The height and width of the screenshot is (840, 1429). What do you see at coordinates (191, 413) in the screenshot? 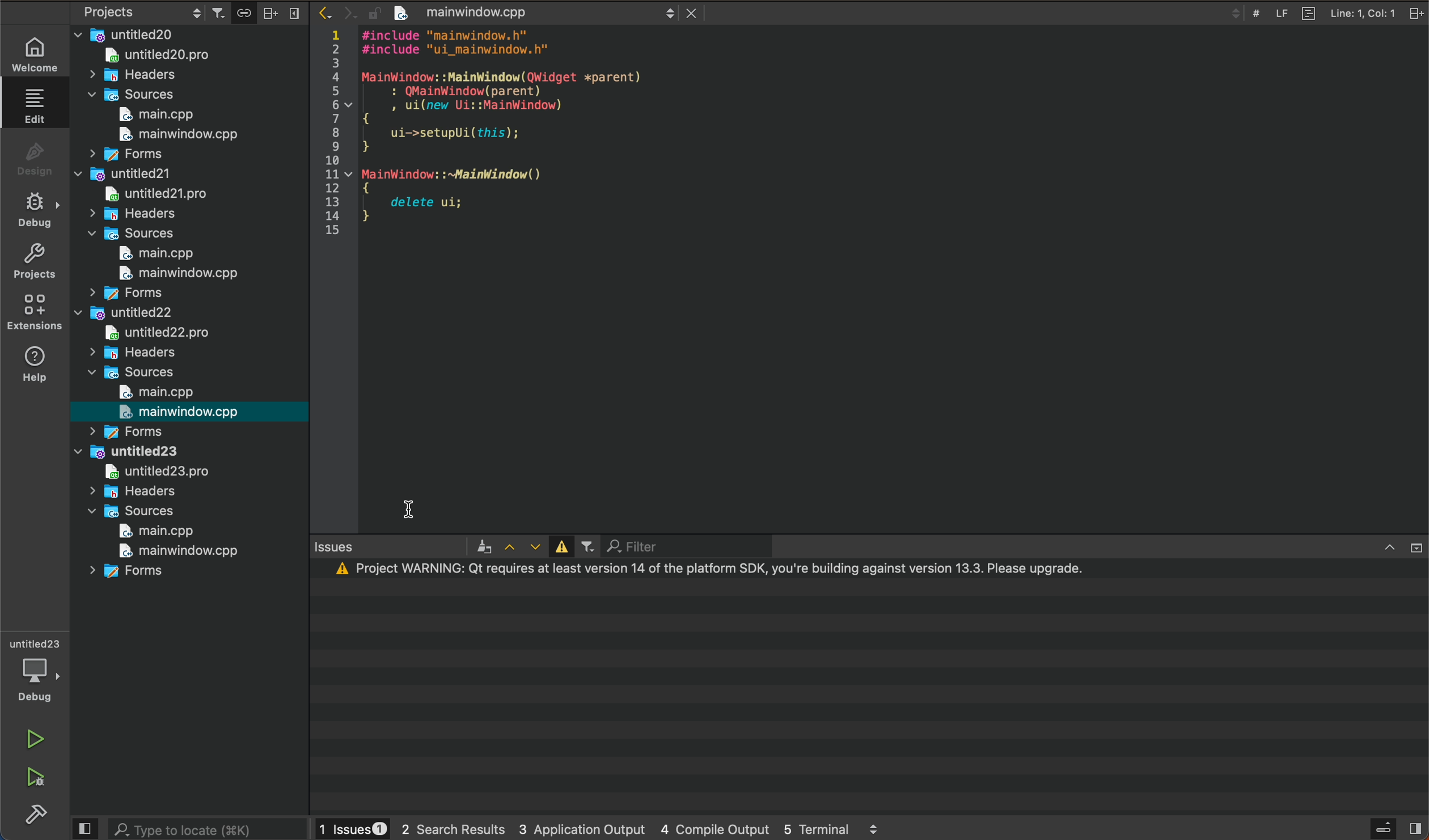
I see `main window` at bounding box center [191, 413].